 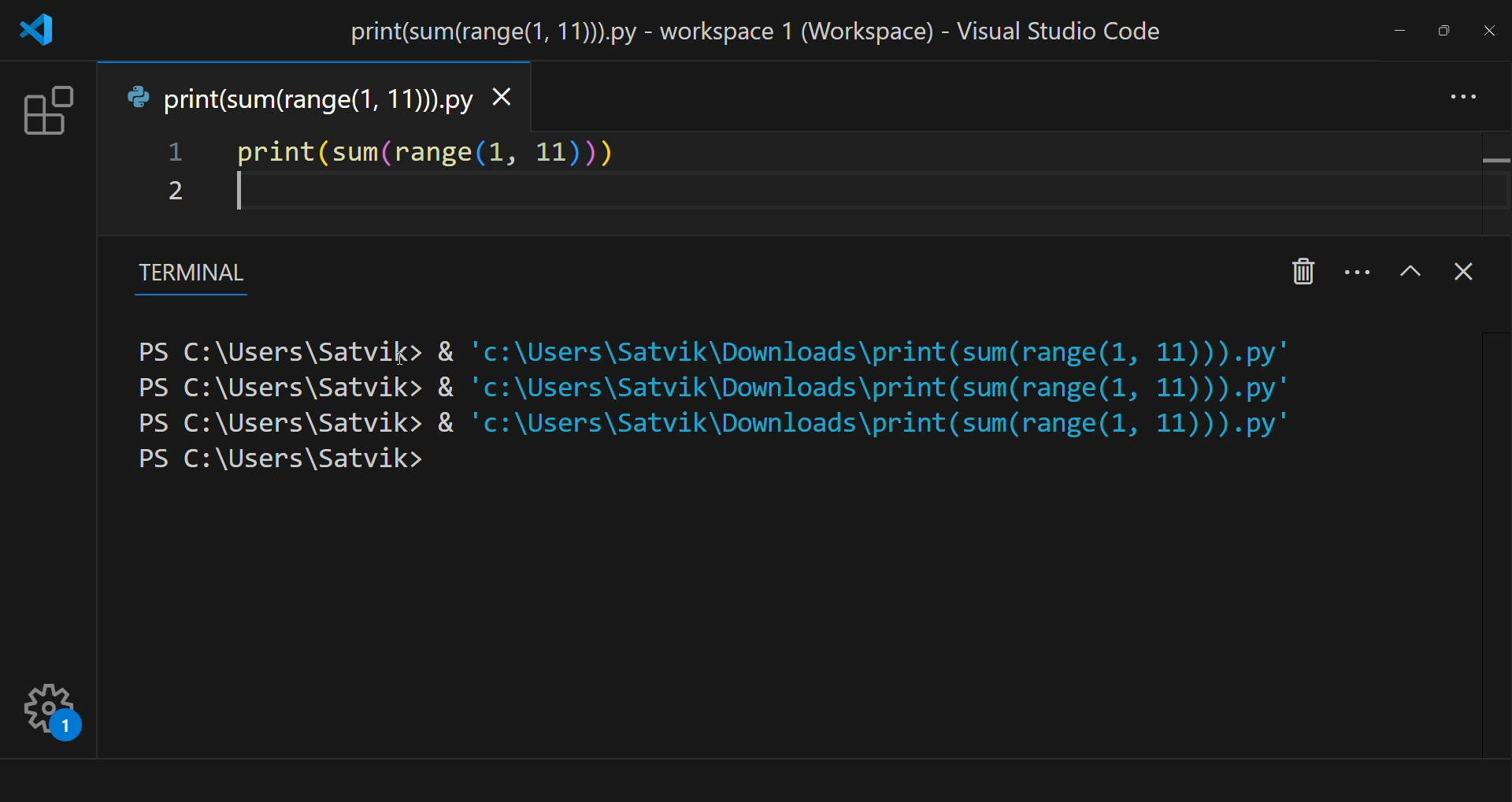 What do you see at coordinates (1443, 28) in the screenshot?
I see `maximize` at bounding box center [1443, 28].